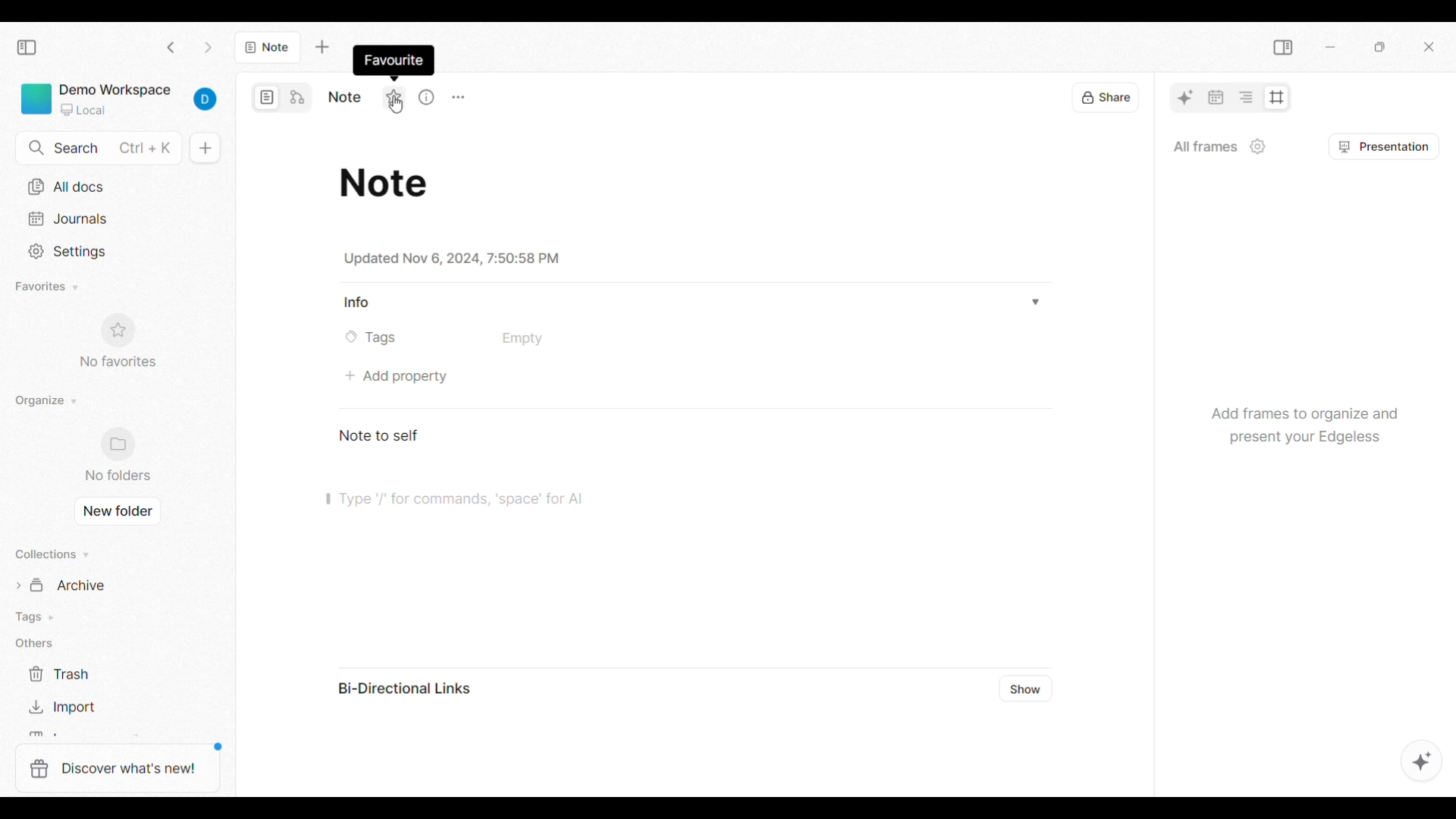 The width and height of the screenshot is (1456, 819). What do you see at coordinates (396, 104) in the screenshot?
I see `Cursor clicking on Favorite icon` at bounding box center [396, 104].